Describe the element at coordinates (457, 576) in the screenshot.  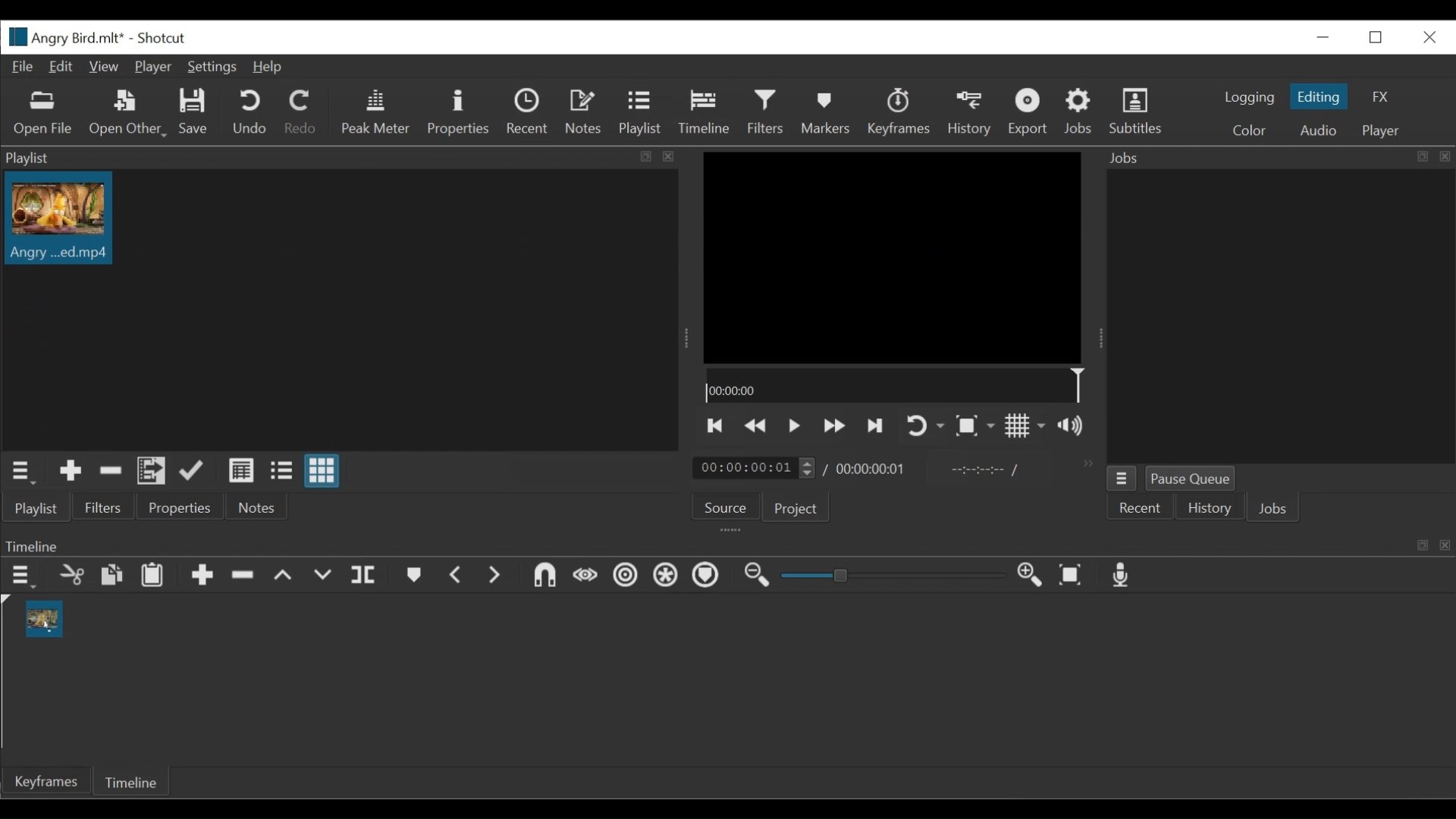
I see `Previous marker` at that location.